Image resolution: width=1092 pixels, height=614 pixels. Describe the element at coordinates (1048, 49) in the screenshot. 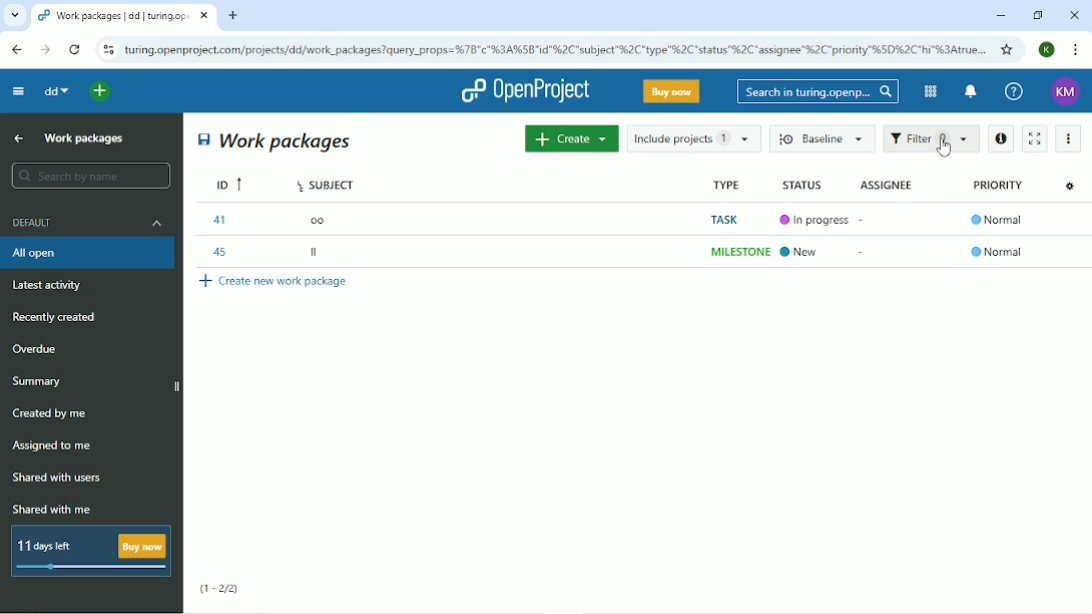

I see `Account` at that location.